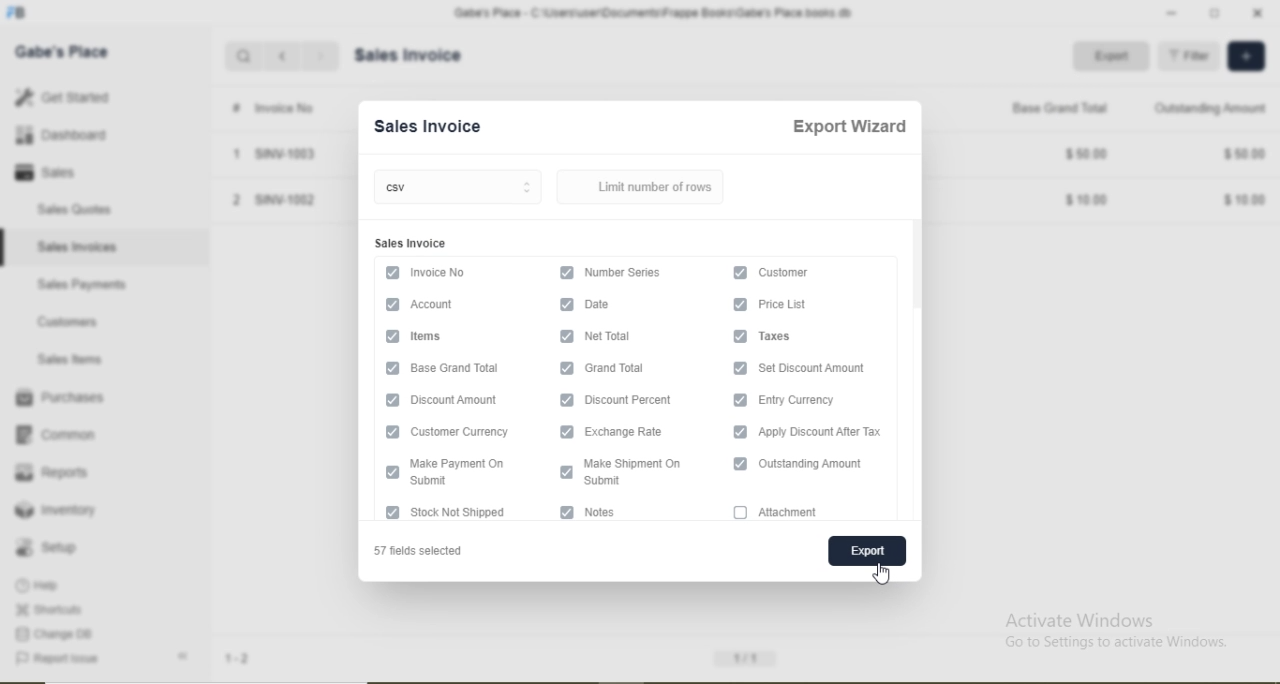  What do you see at coordinates (739, 336) in the screenshot?
I see `checkbox` at bounding box center [739, 336].